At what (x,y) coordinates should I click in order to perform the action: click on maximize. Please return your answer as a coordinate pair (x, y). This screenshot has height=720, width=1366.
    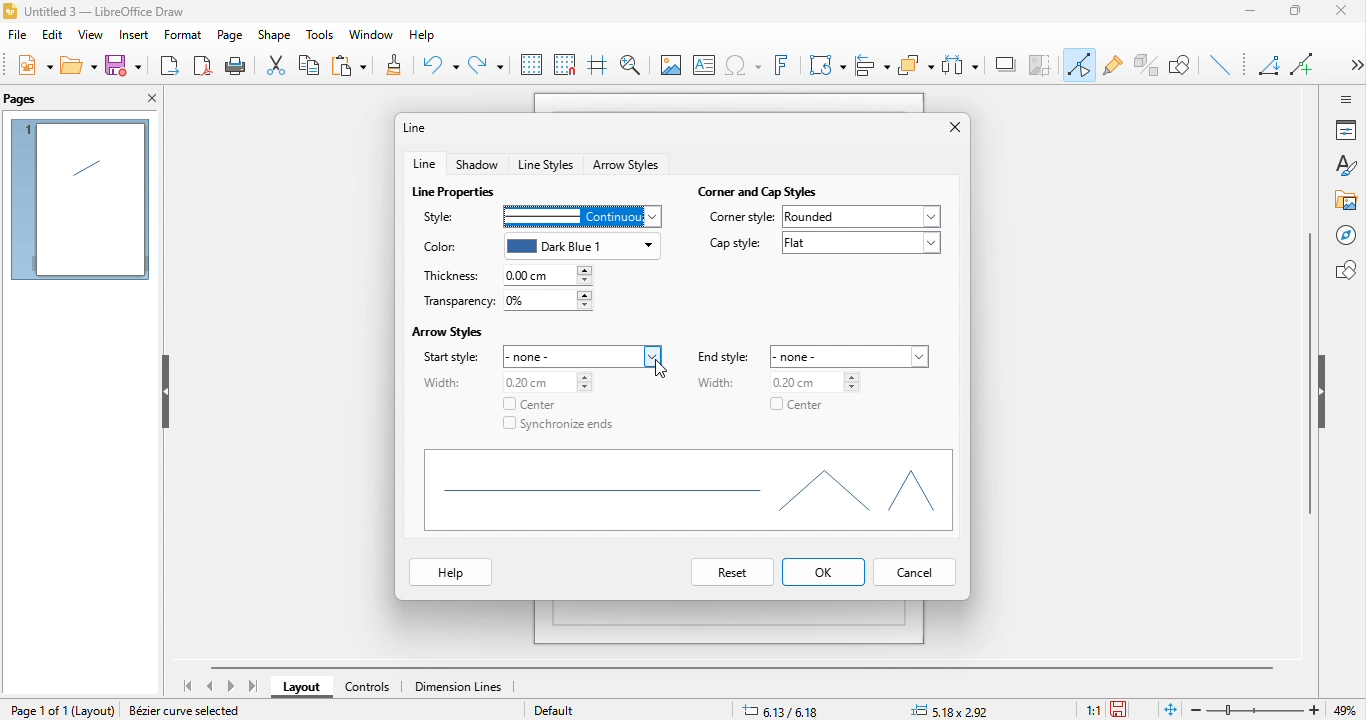
    Looking at the image, I should click on (1302, 14).